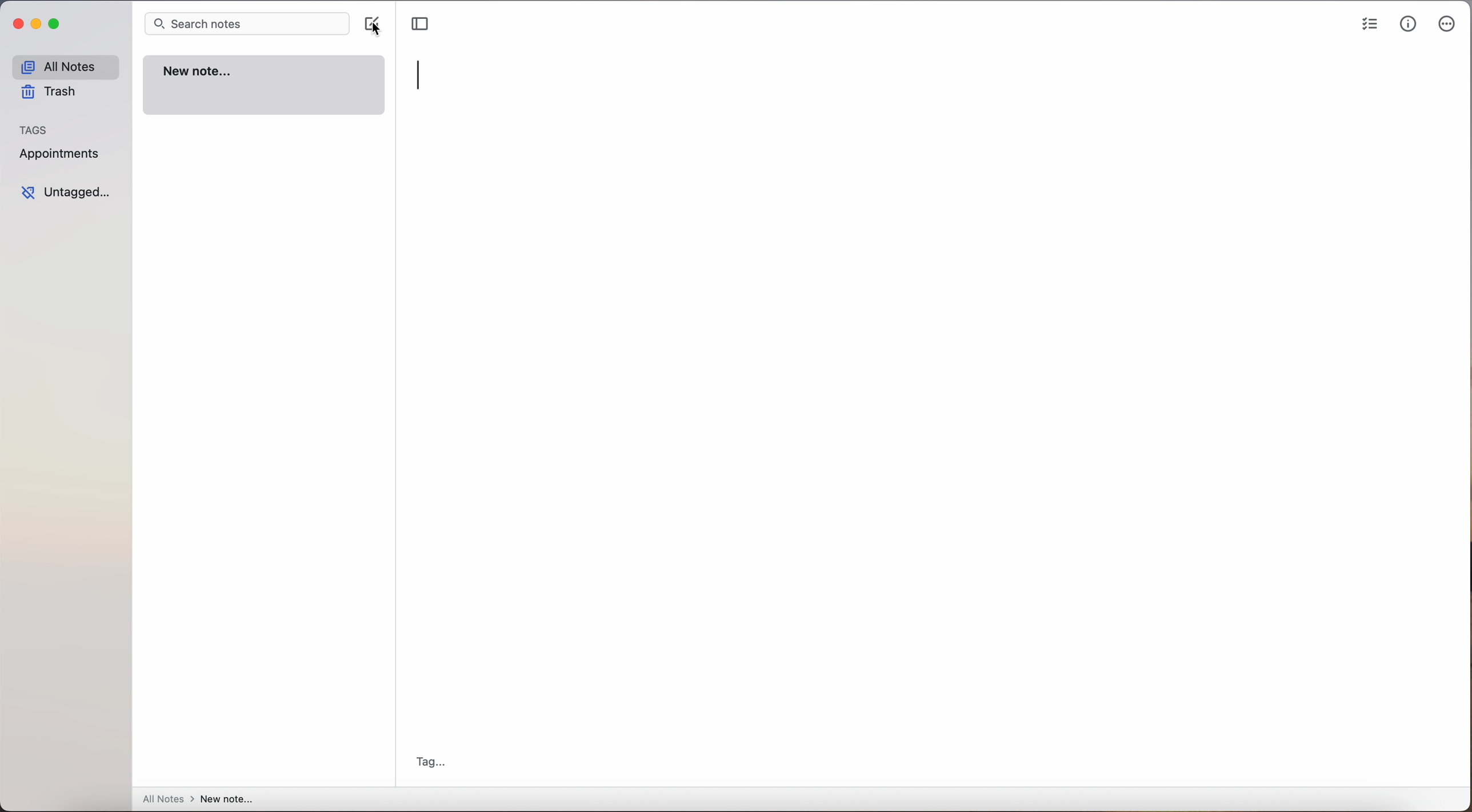 The height and width of the screenshot is (812, 1472). What do you see at coordinates (415, 73) in the screenshot?
I see `type` at bounding box center [415, 73].